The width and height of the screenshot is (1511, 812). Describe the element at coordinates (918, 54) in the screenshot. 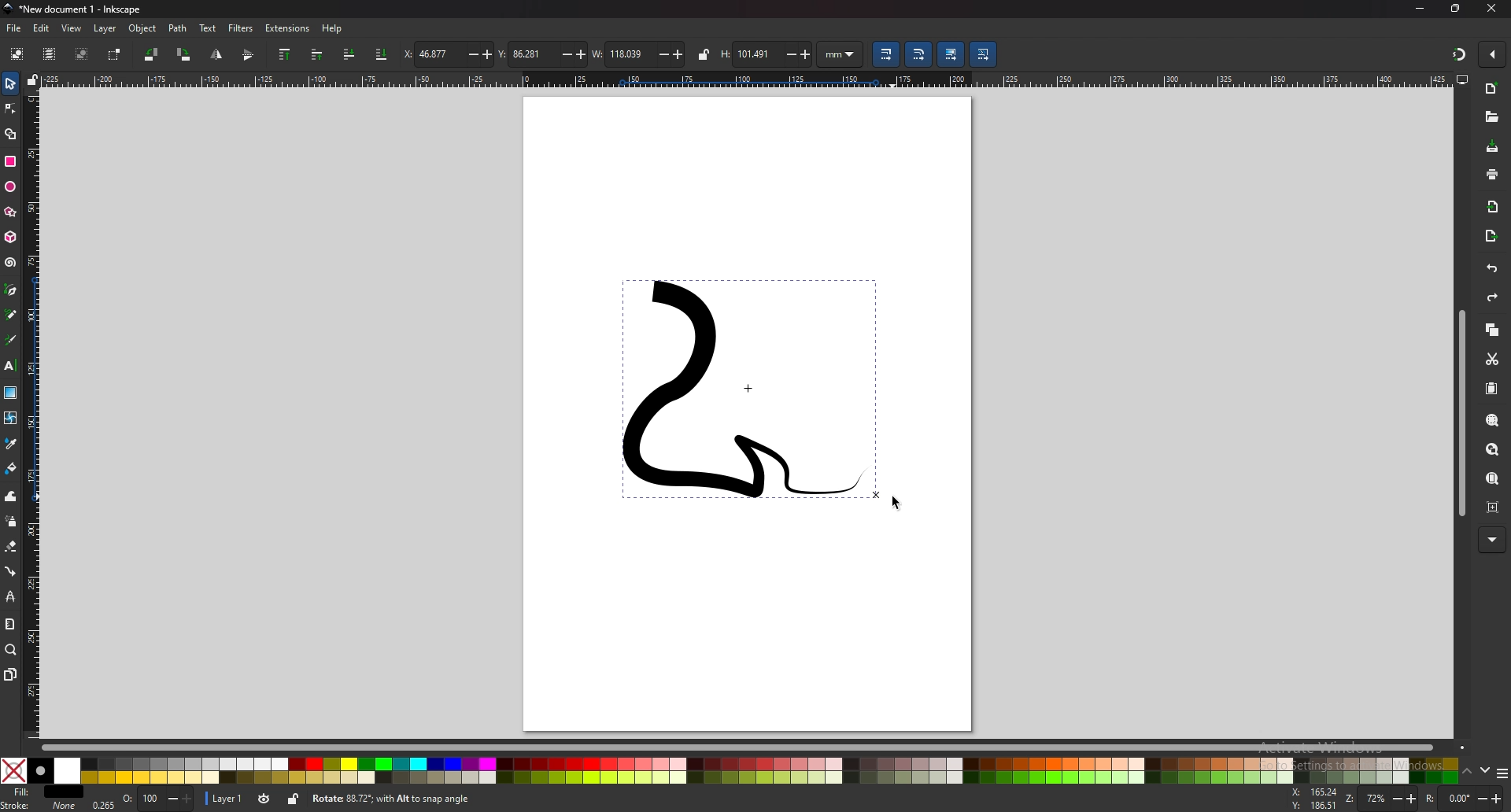

I see `scale radii` at that location.